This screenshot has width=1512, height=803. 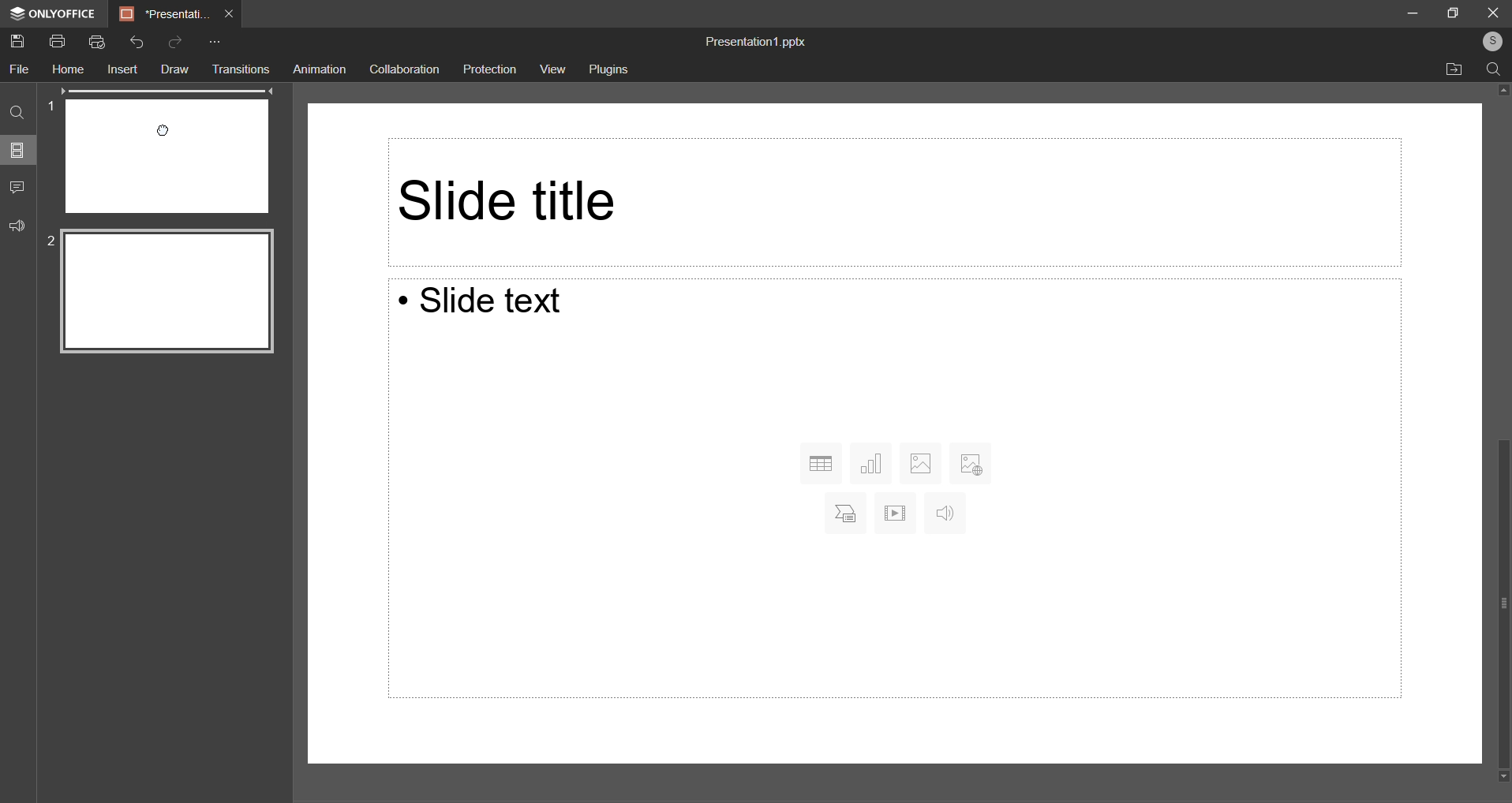 What do you see at coordinates (69, 69) in the screenshot?
I see `Home` at bounding box center [69, 69].